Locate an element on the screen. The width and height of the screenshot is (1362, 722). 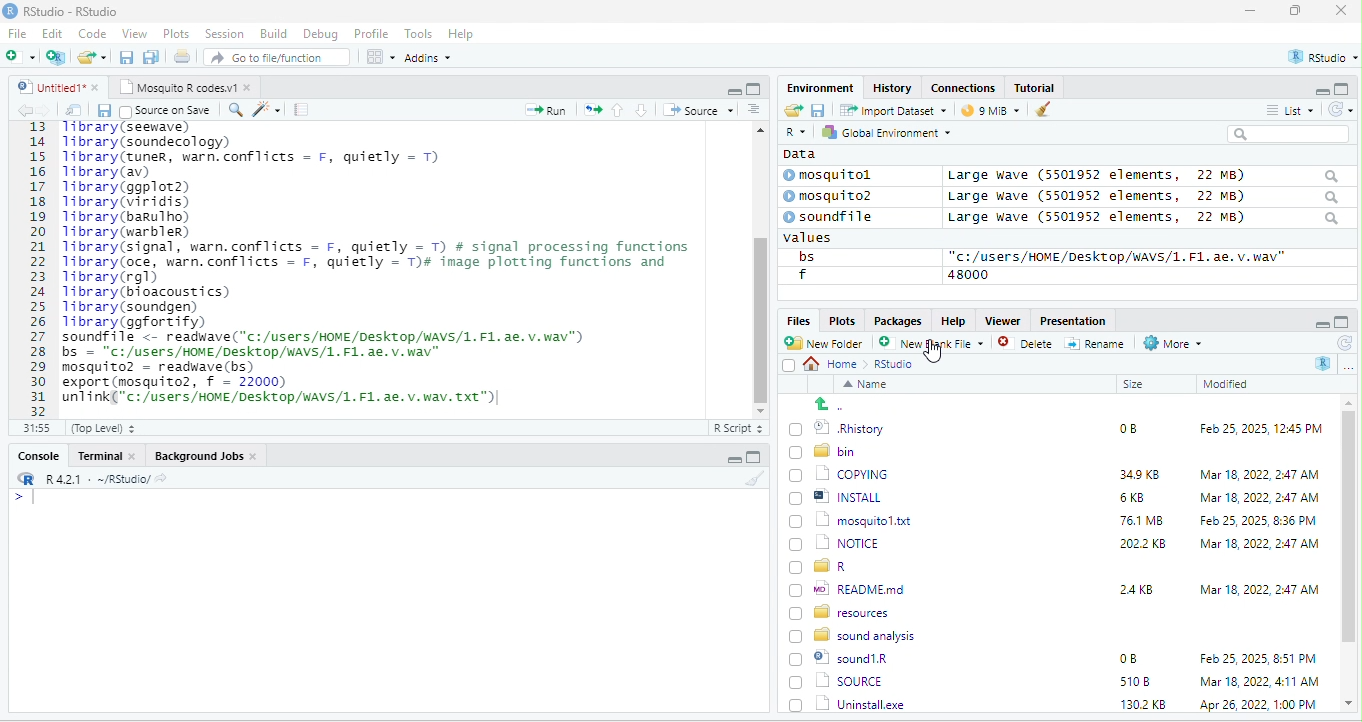
maximize is located at coordinates (753, 88).